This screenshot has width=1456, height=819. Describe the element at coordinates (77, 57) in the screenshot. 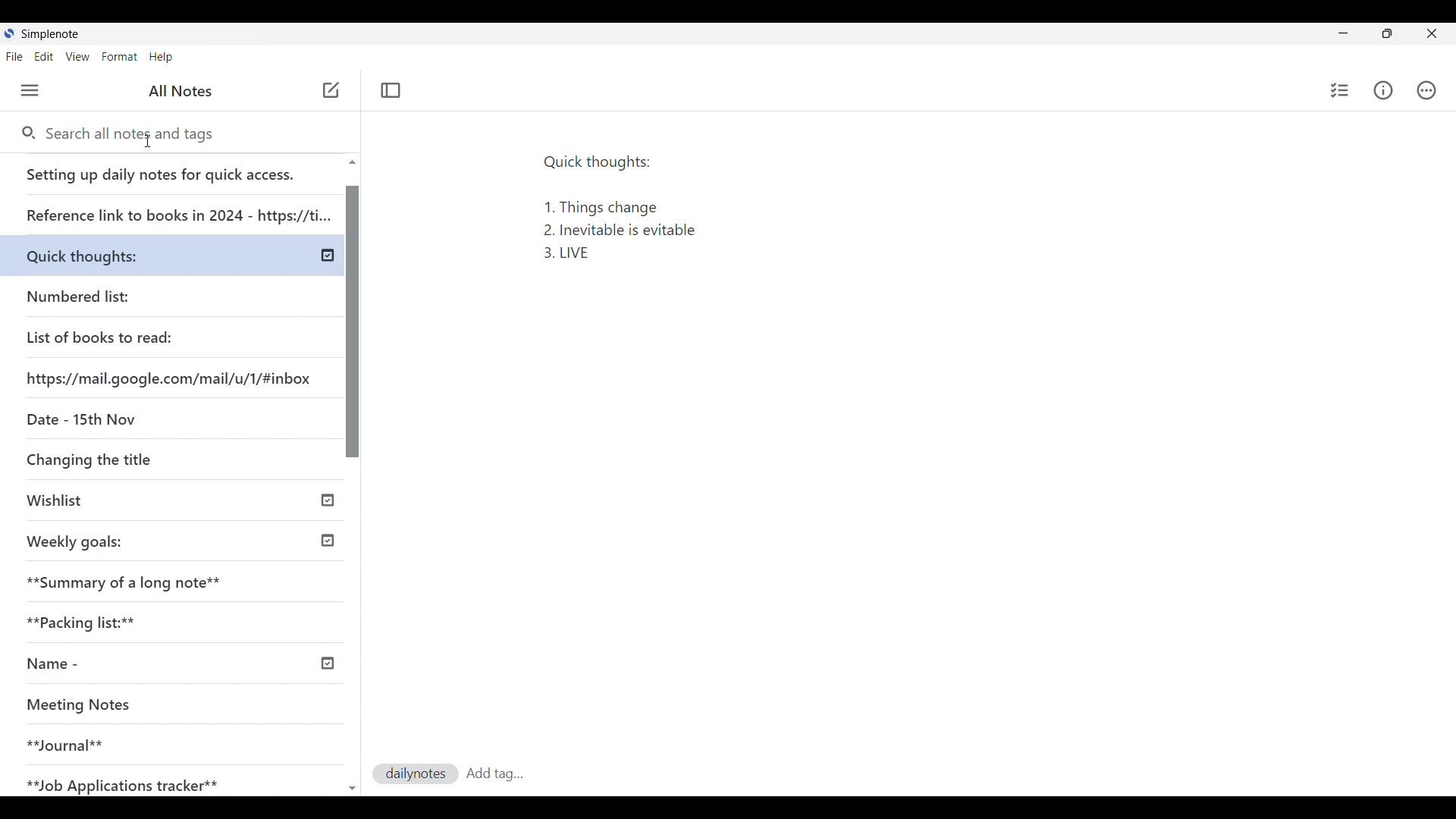

I see `View menu` at that location.